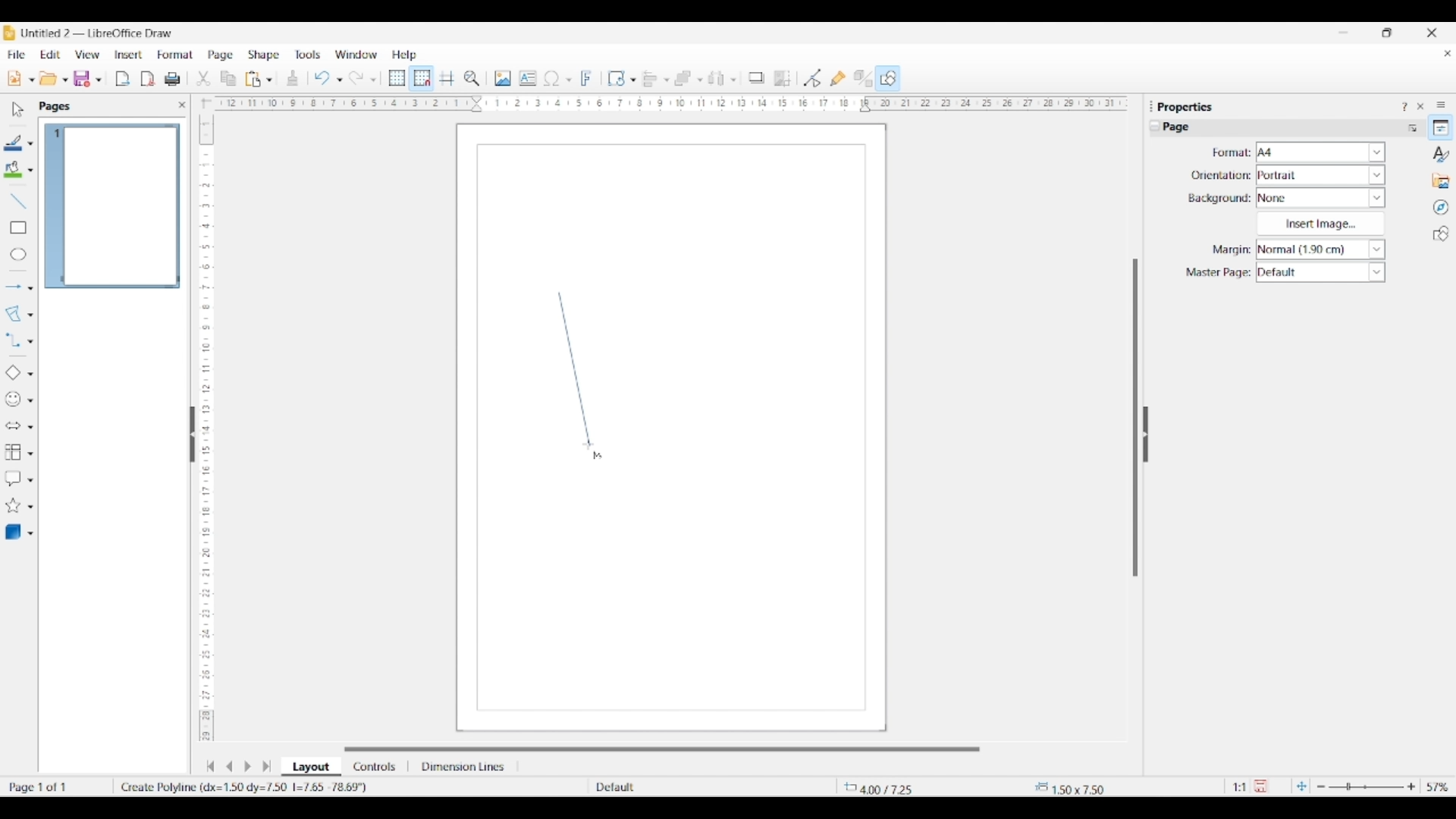 Image resolution: width=1456 pixels, height=819 pixels. What do you see at coordinates (783, 78) in the screenshot?
I see `Crop image` at bounding box center [783, 78].